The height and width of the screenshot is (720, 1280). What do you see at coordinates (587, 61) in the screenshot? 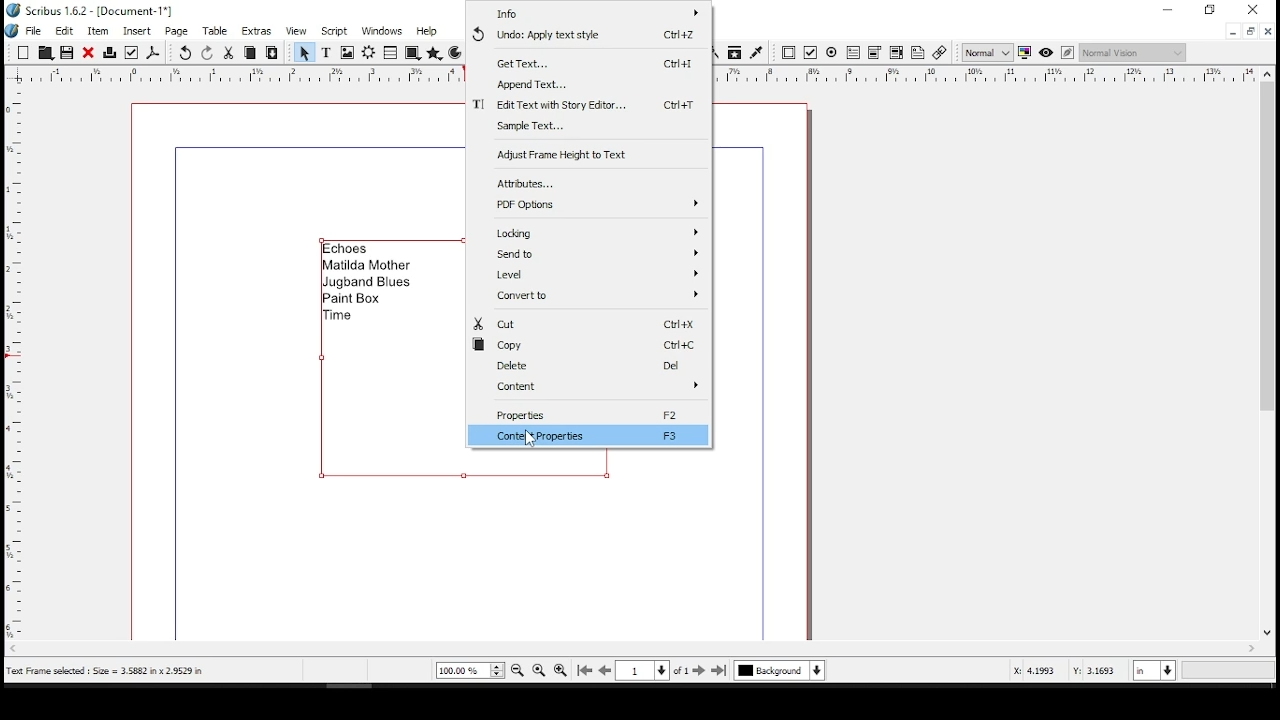
I see `get text` at bounding box center [587, 61].